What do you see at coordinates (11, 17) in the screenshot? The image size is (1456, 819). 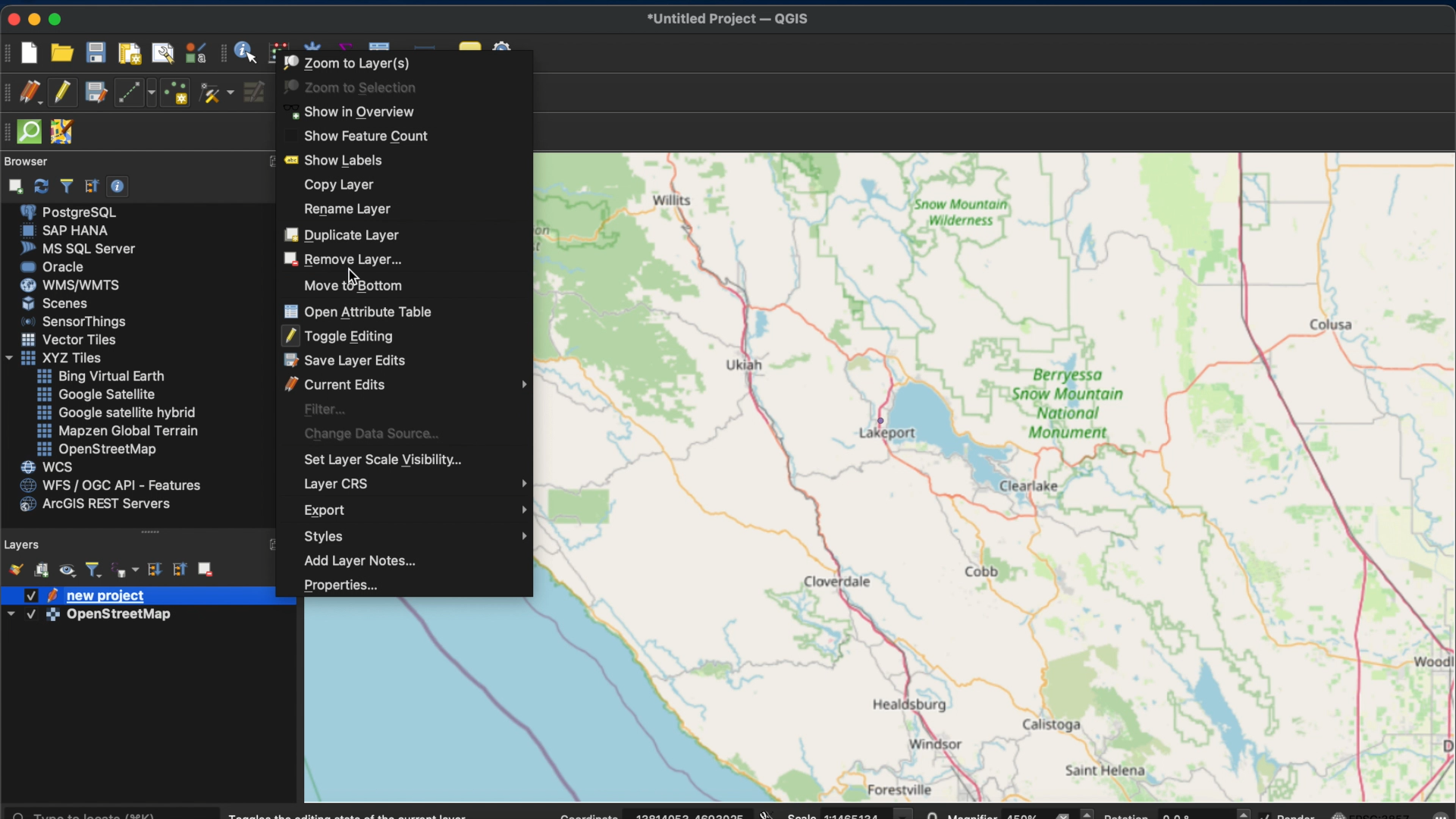 I see `close` at bounding box center [11, 17].